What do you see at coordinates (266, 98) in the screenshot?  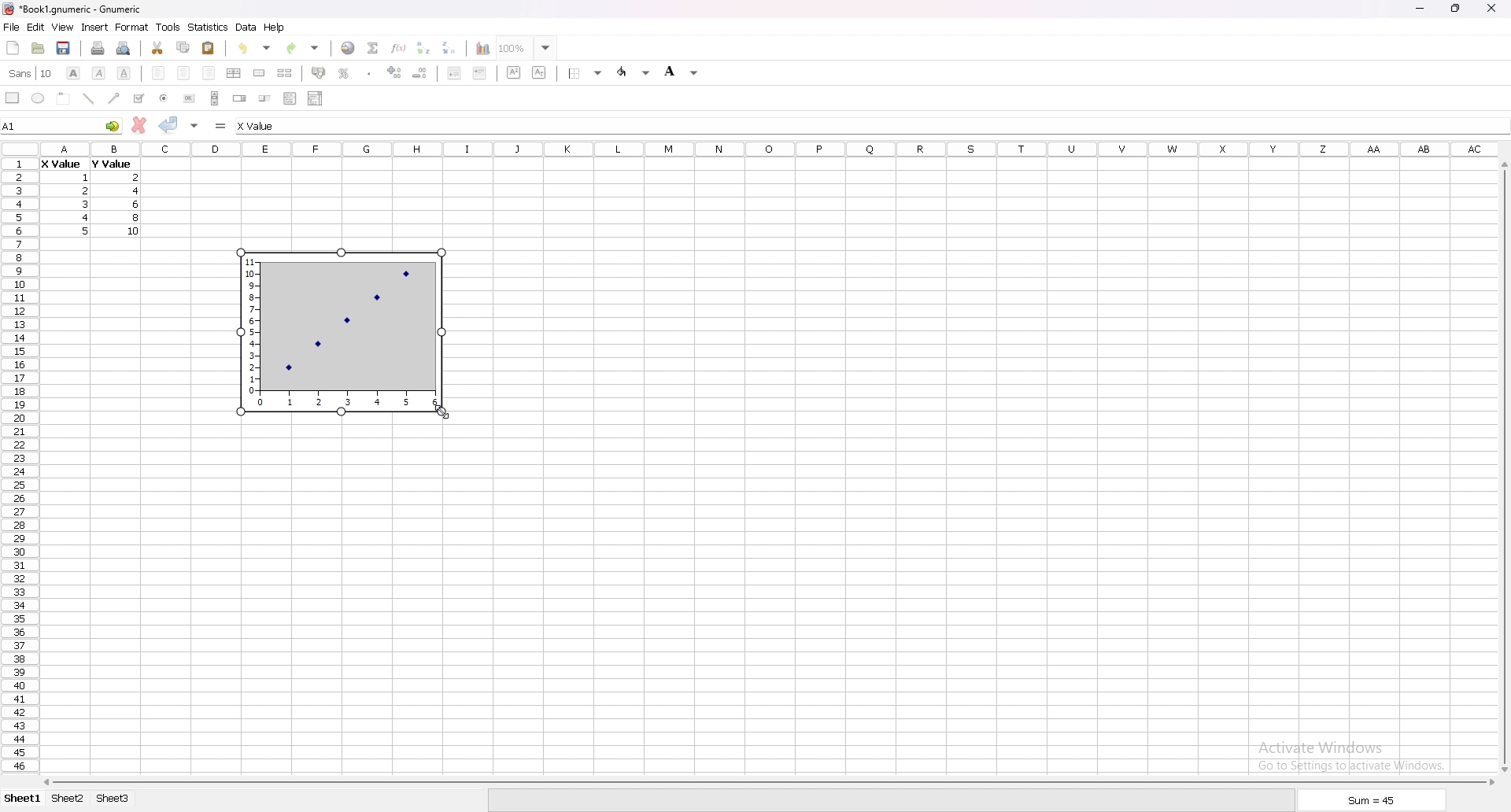 I see `slider` at bounding box center [266, 98].